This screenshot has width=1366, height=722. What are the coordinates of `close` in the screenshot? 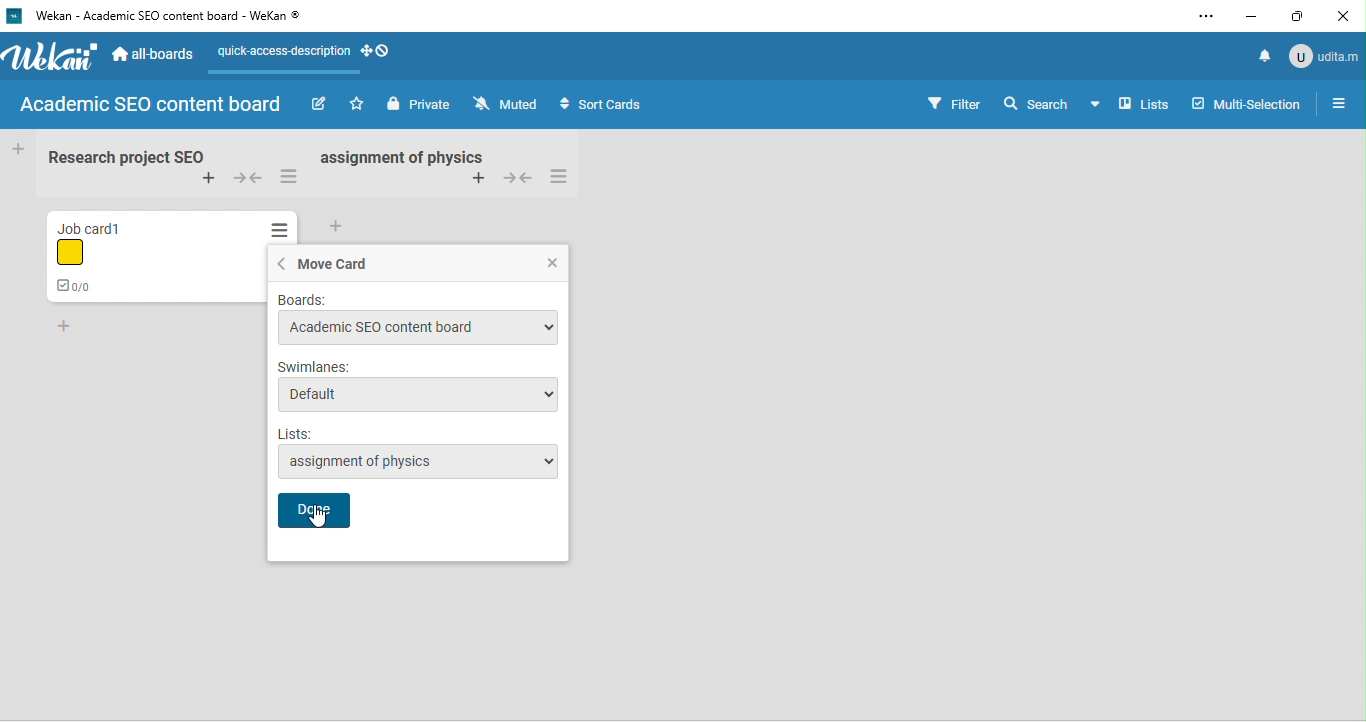 It's located at (555, 261).